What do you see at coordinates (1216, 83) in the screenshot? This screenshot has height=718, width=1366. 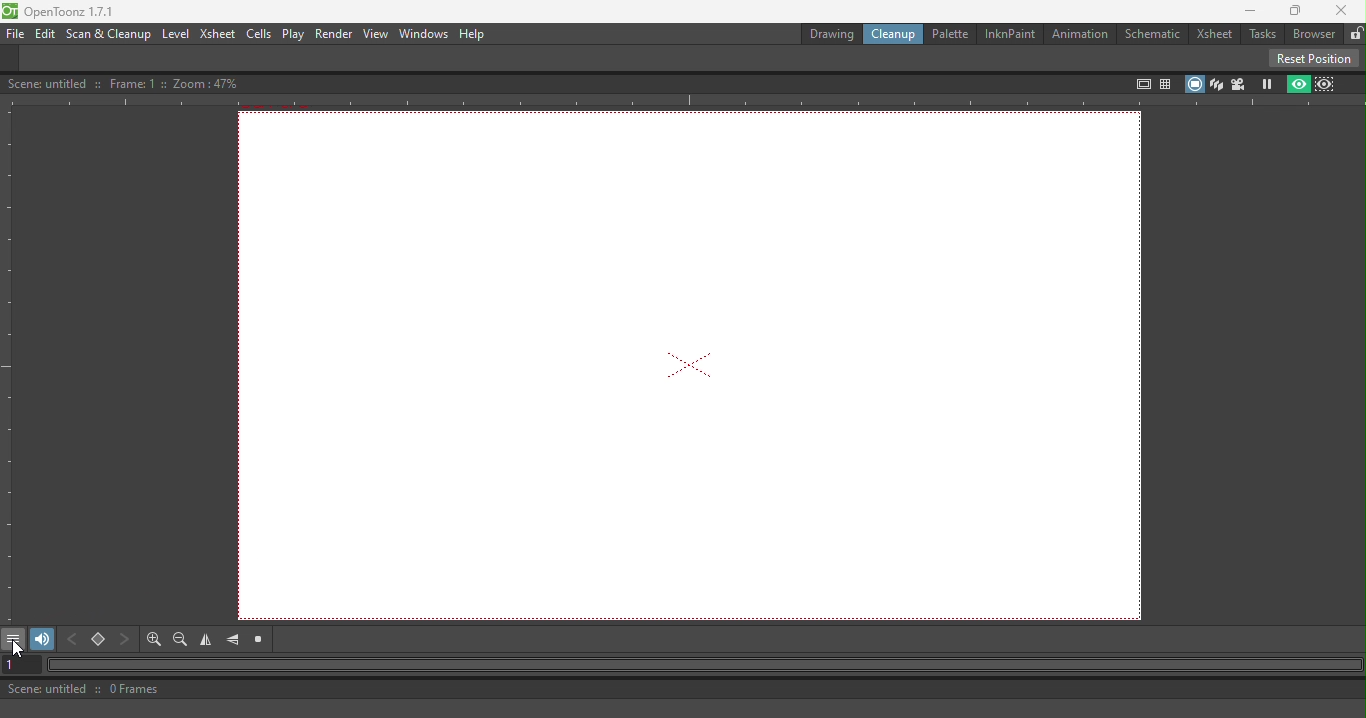 I see `3D View` at bounding box center [1216, 83].